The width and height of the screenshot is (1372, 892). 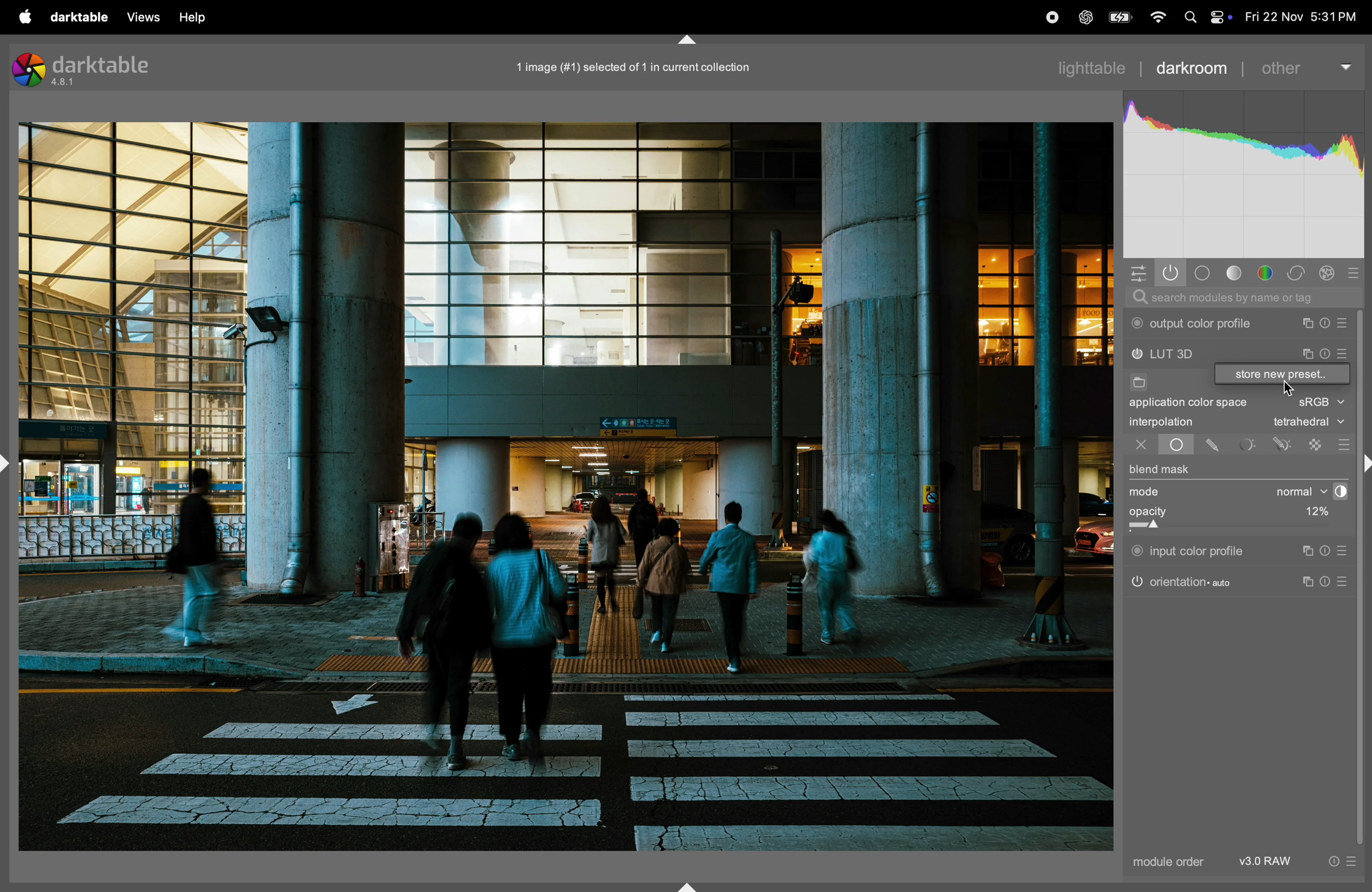 I want to click on date and time, so click(x=1302, y=17).